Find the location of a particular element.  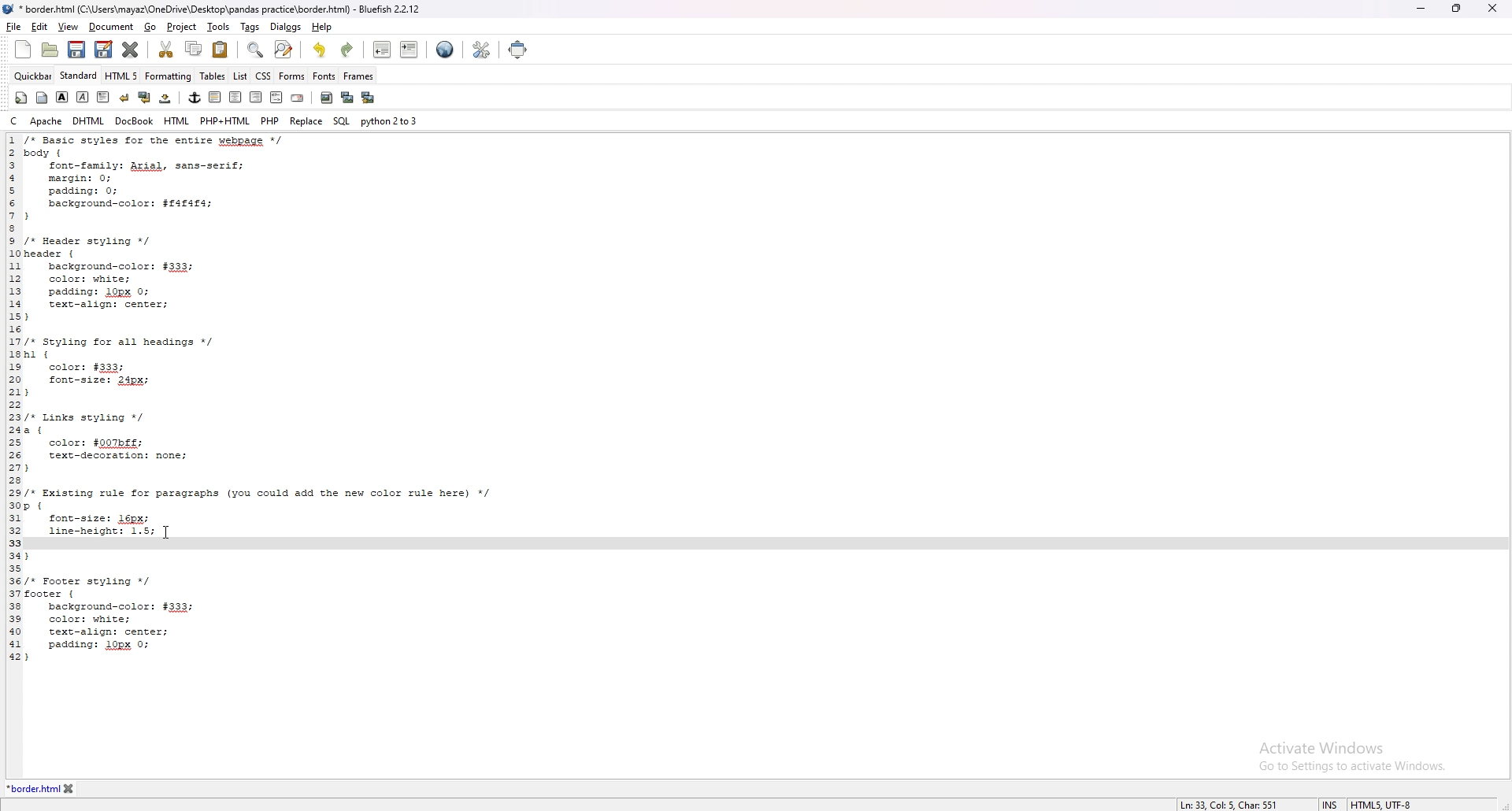

open is located at coordinates (50, 50).